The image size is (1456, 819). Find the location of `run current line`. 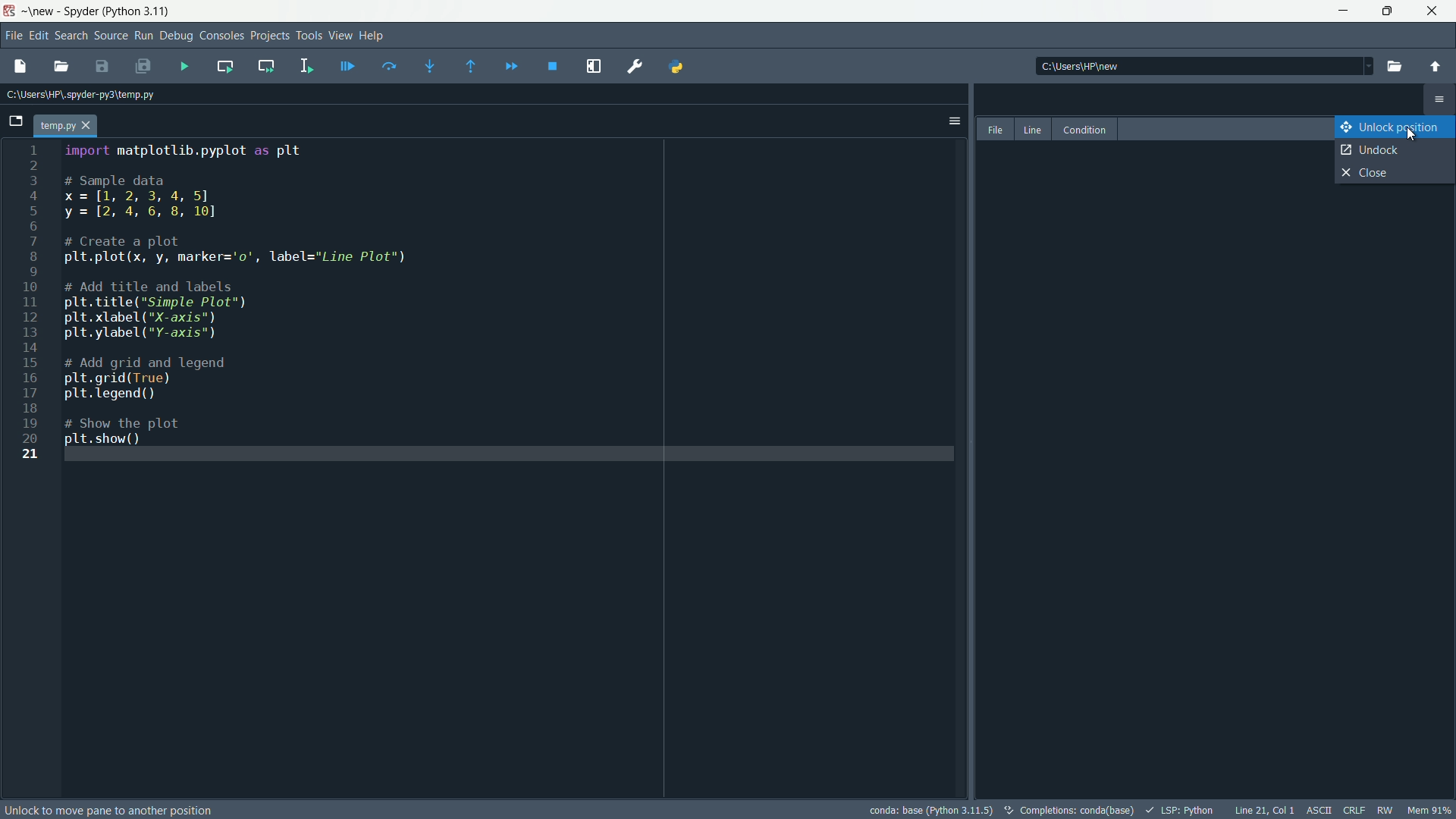

run current line is located at coordinates (386, 65).